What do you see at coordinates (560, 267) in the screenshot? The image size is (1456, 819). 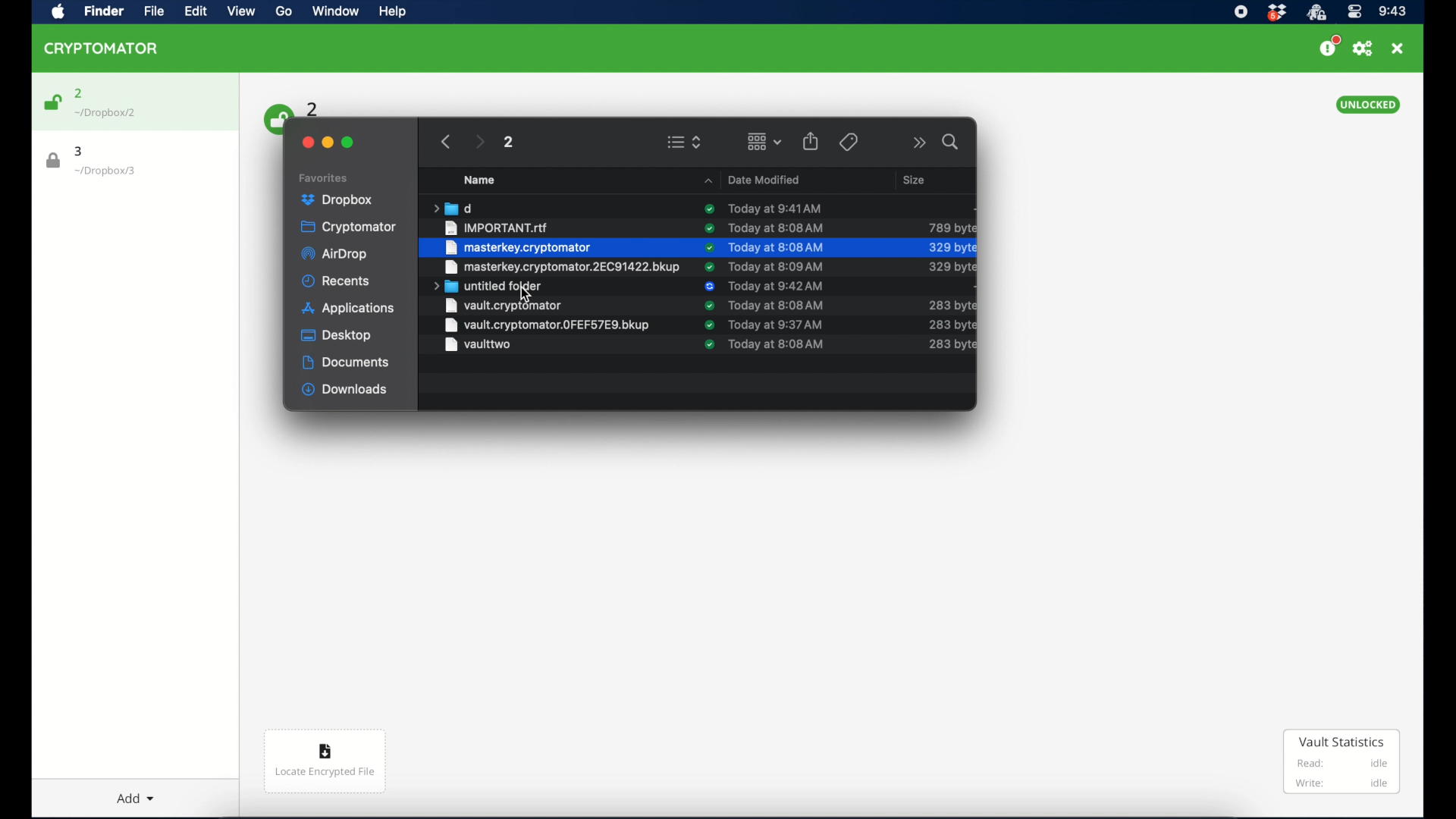 I see `masterkey` at bounding box center [560, 267].